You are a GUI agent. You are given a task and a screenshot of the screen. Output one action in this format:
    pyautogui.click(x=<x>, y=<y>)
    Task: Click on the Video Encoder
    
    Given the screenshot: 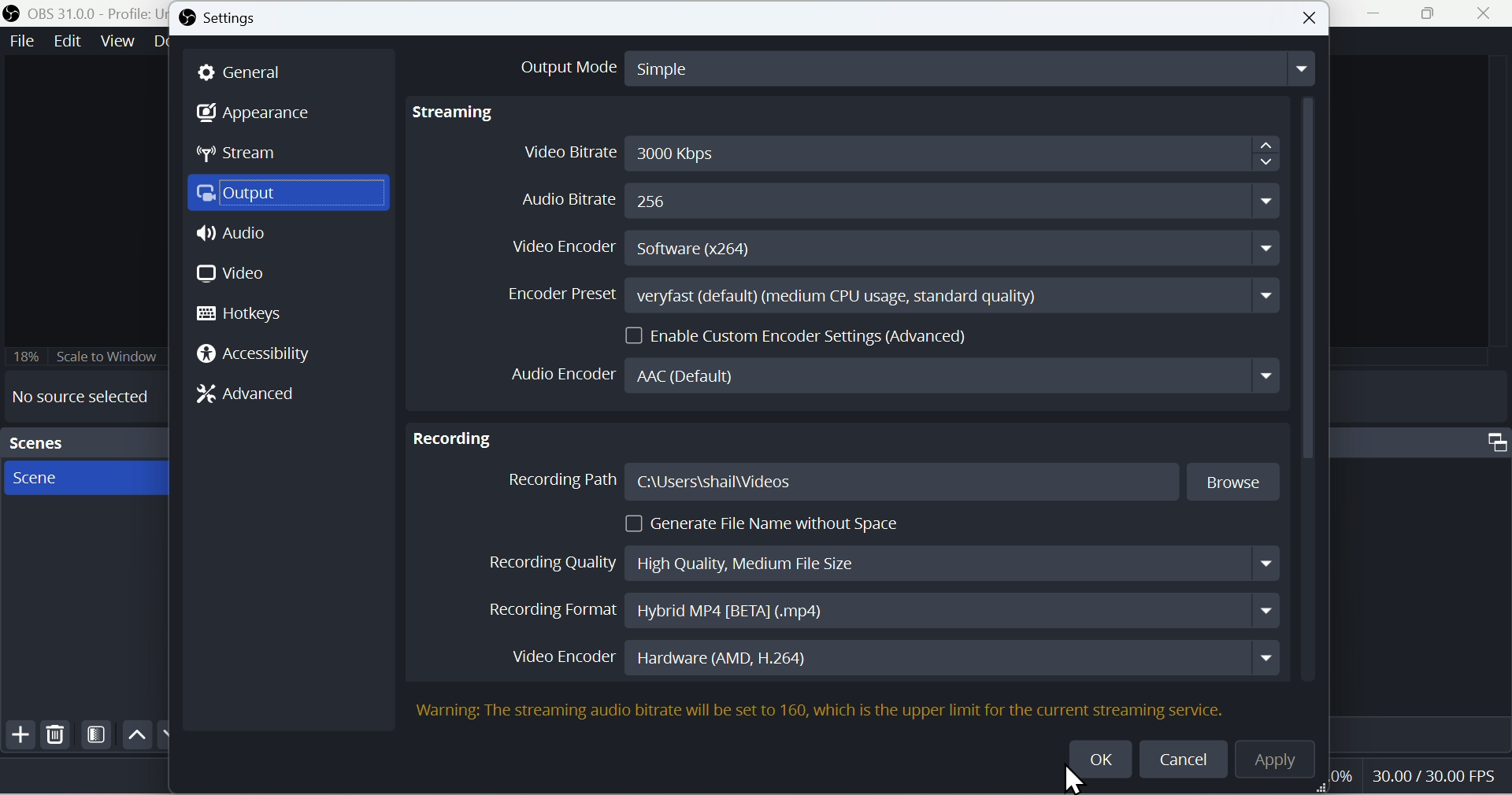 What is the action you would take?
    pyautogui.click(x=897, y=250)
    